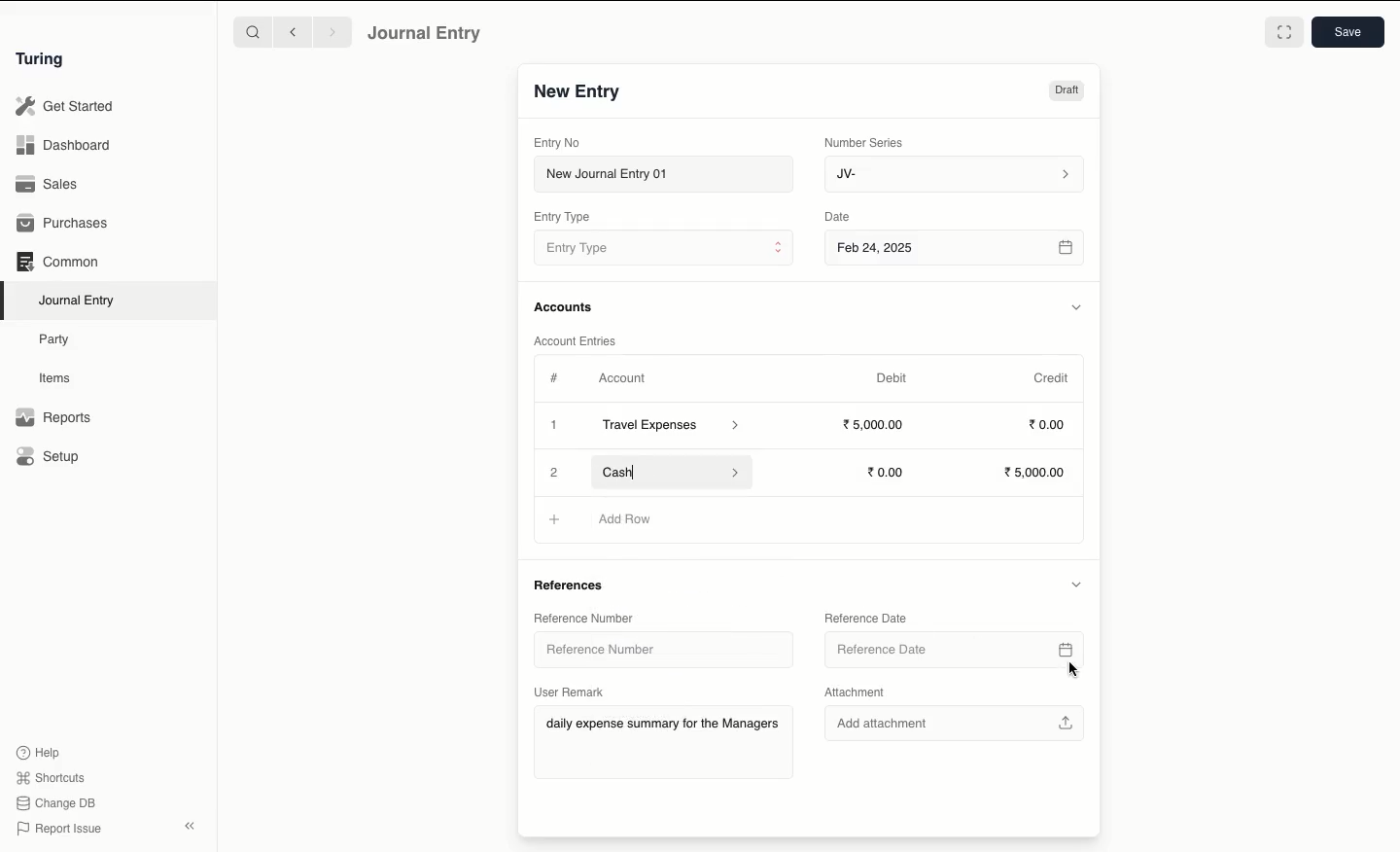  Describe the element at coordinates (585, 618) in the screenshot. I see `Reference Number` at that location.